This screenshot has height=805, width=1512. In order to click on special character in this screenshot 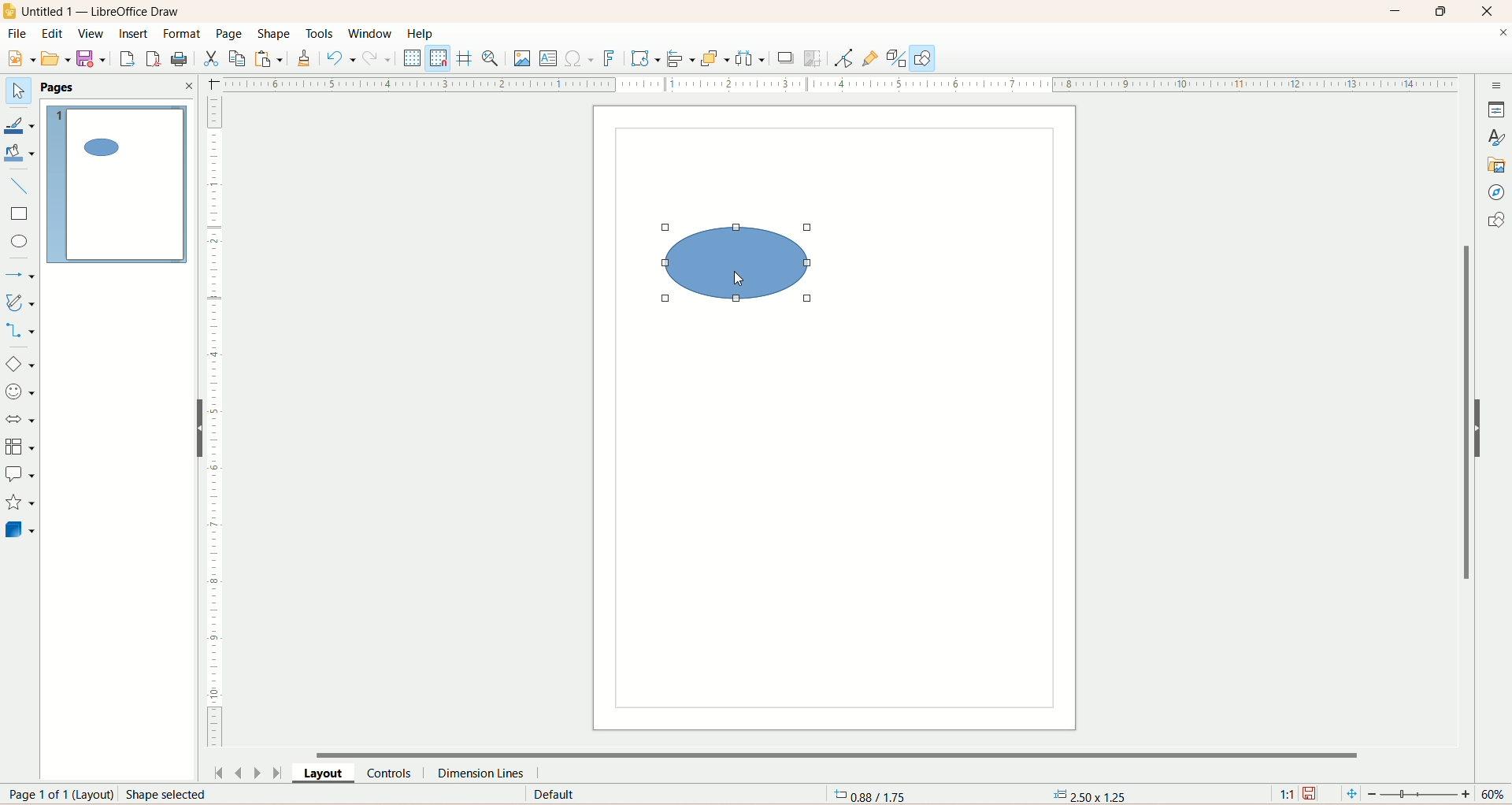, I will do `click(578, 59)`.